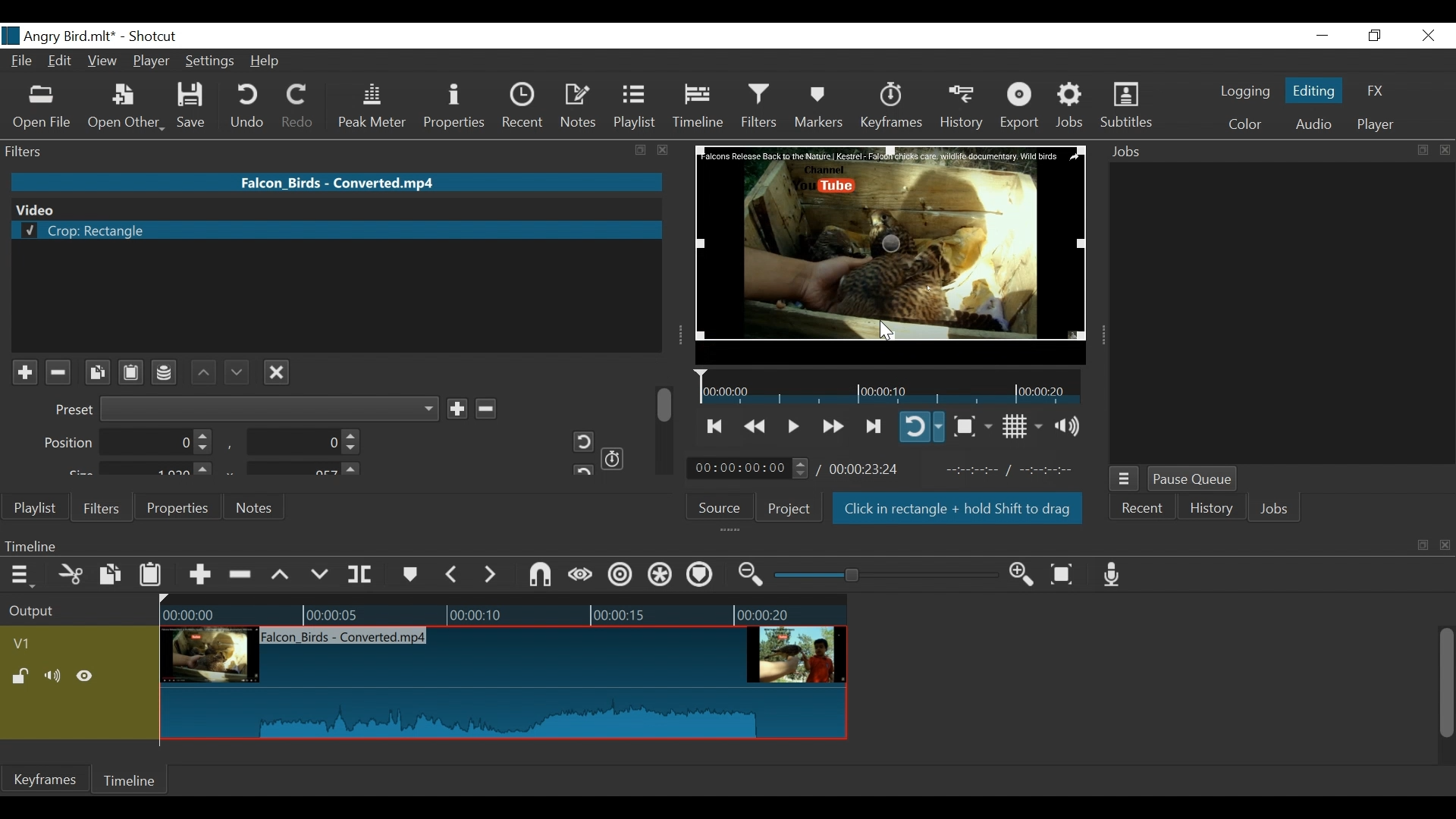 The height and width of the screenshot is (819, 1456). I want to click on Timeline menu, so click(24, 574).